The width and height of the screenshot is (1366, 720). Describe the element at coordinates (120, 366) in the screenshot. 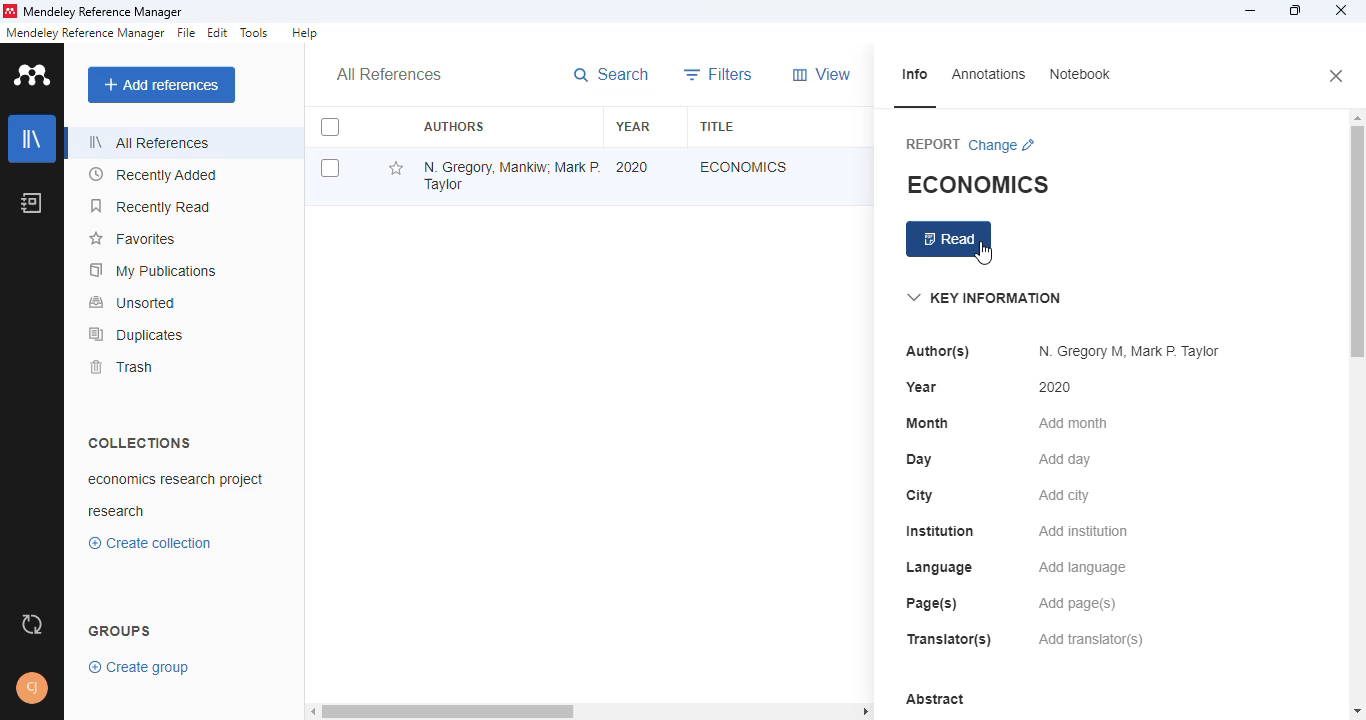

I see `trash` at that location.